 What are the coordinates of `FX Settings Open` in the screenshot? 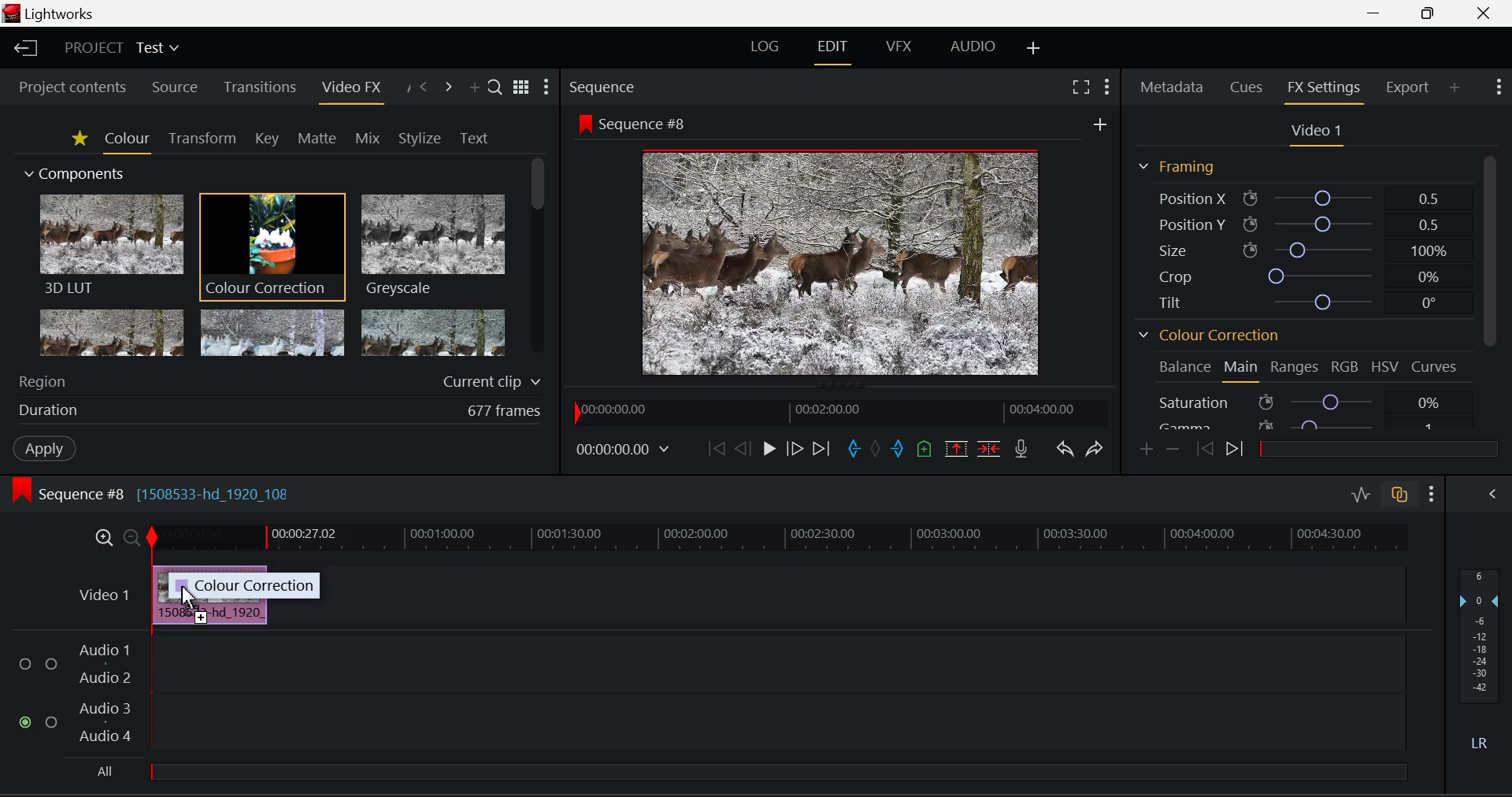 It's located at (1323, 89).